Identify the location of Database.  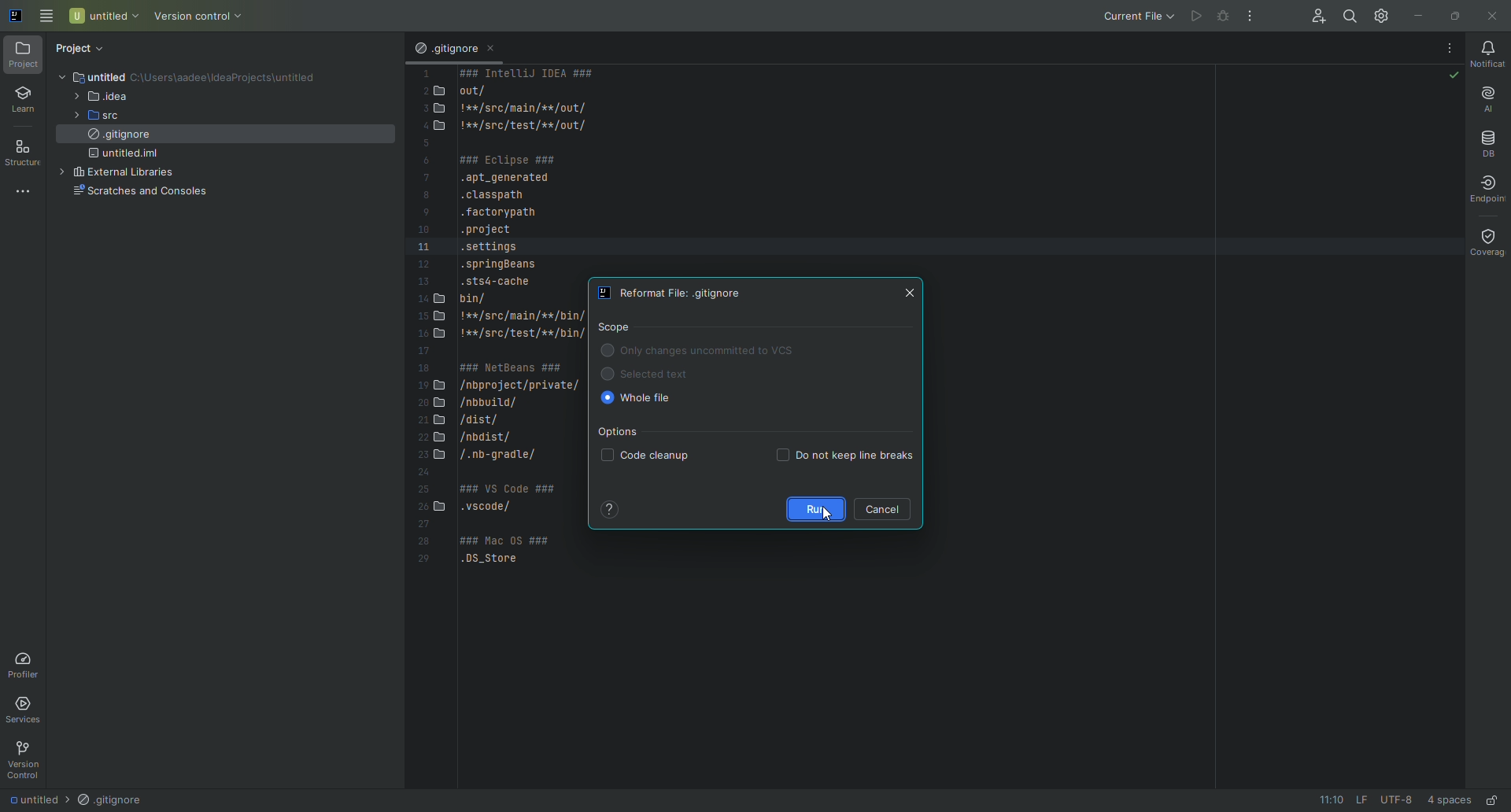
(1487, 139).